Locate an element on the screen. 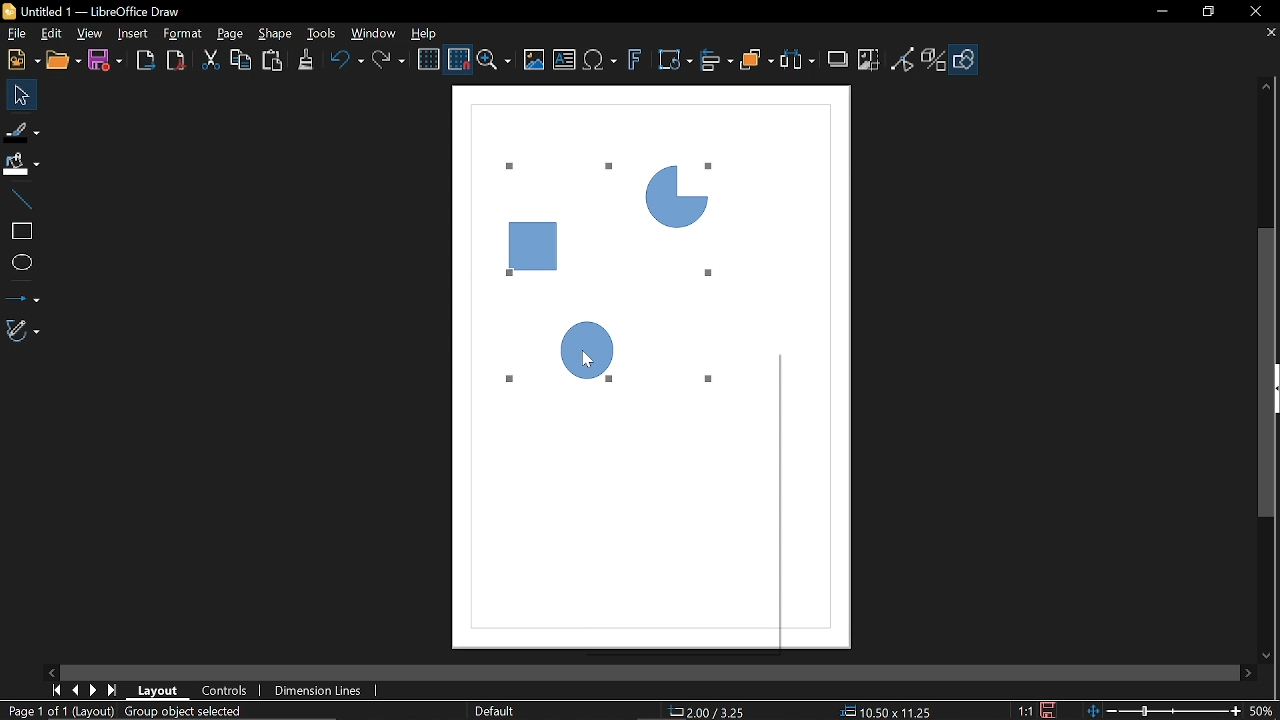  Current Diagram  is located at coordinates (607, 281).